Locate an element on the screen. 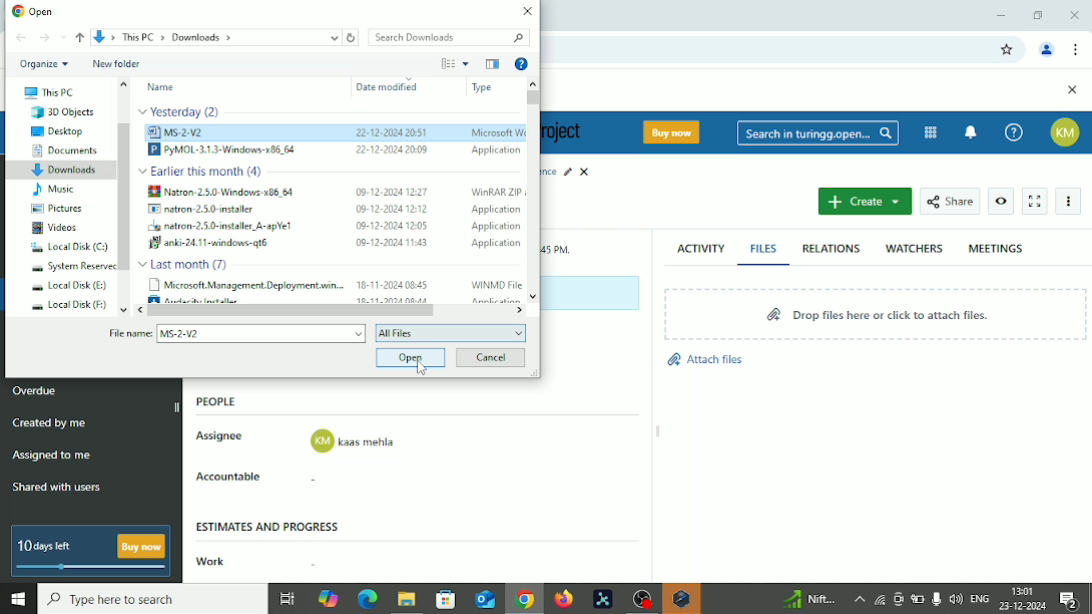  Date is located at coordinates (1024, 606).